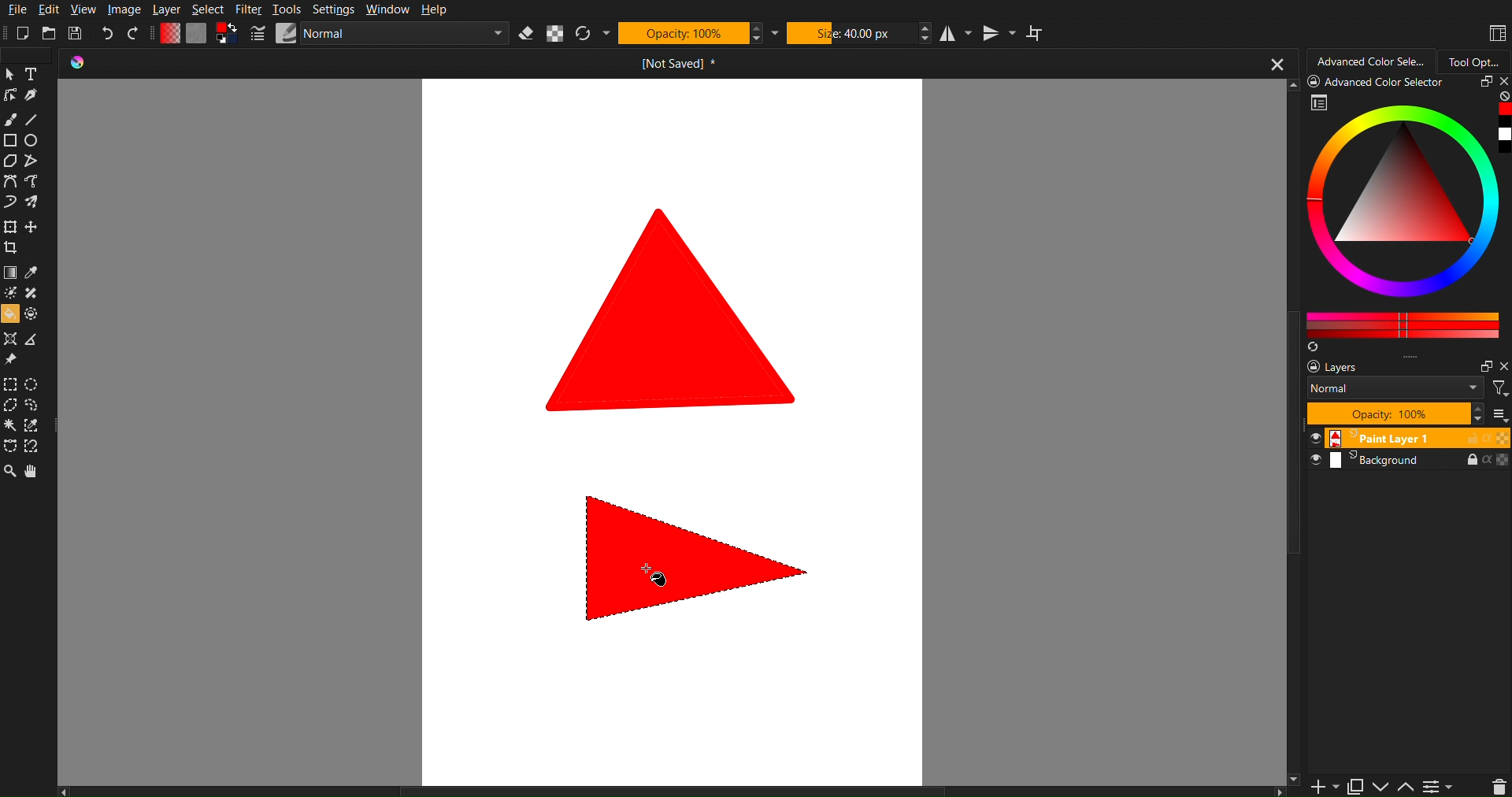 The height and width of the screenshot is (797, 1512). Describe the element at coordinates (171, 10) in the screenshot. I see `Layer` at that location.